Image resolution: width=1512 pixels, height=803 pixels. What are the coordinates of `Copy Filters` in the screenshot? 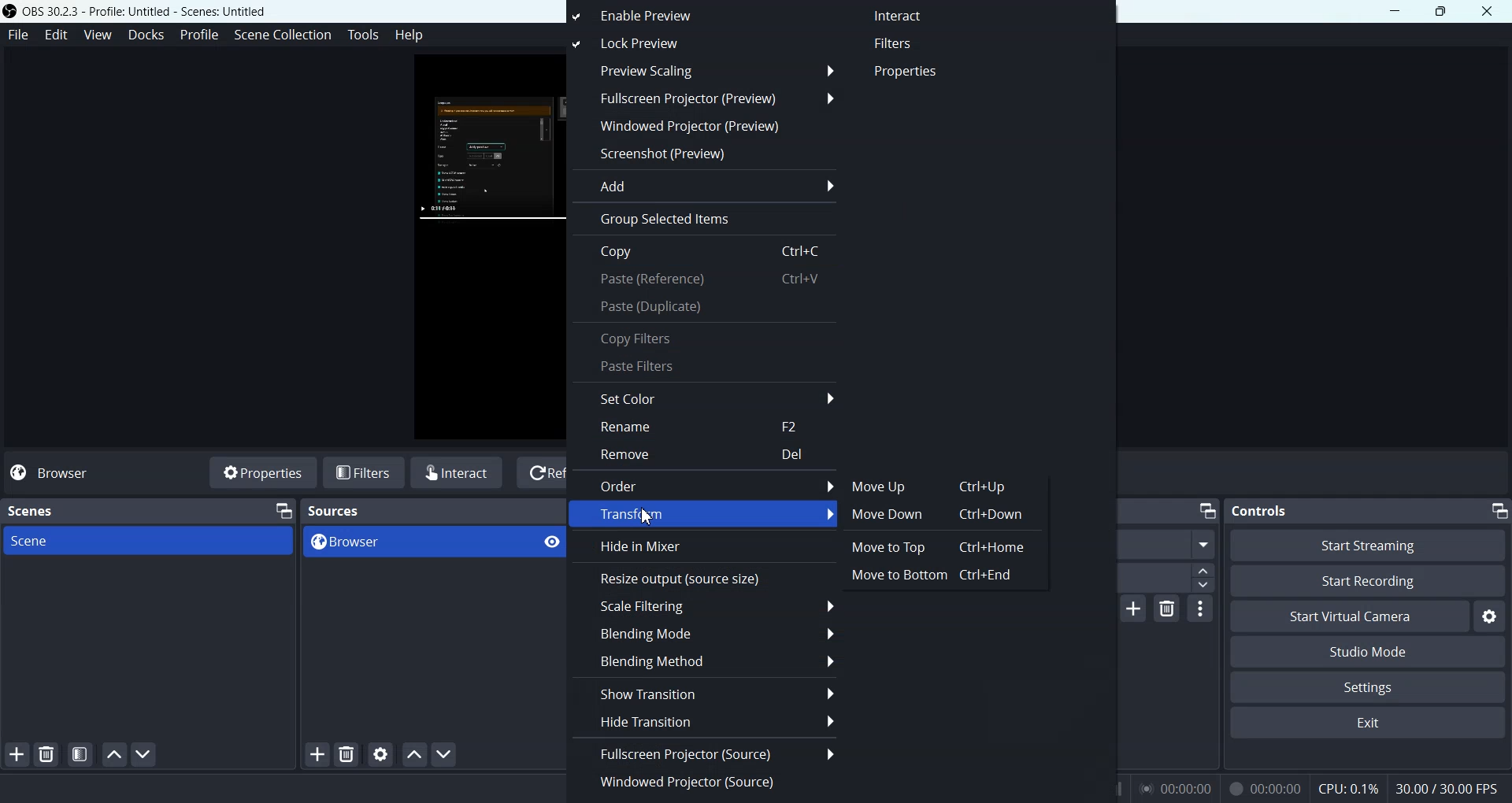 It's located at (705, 337).